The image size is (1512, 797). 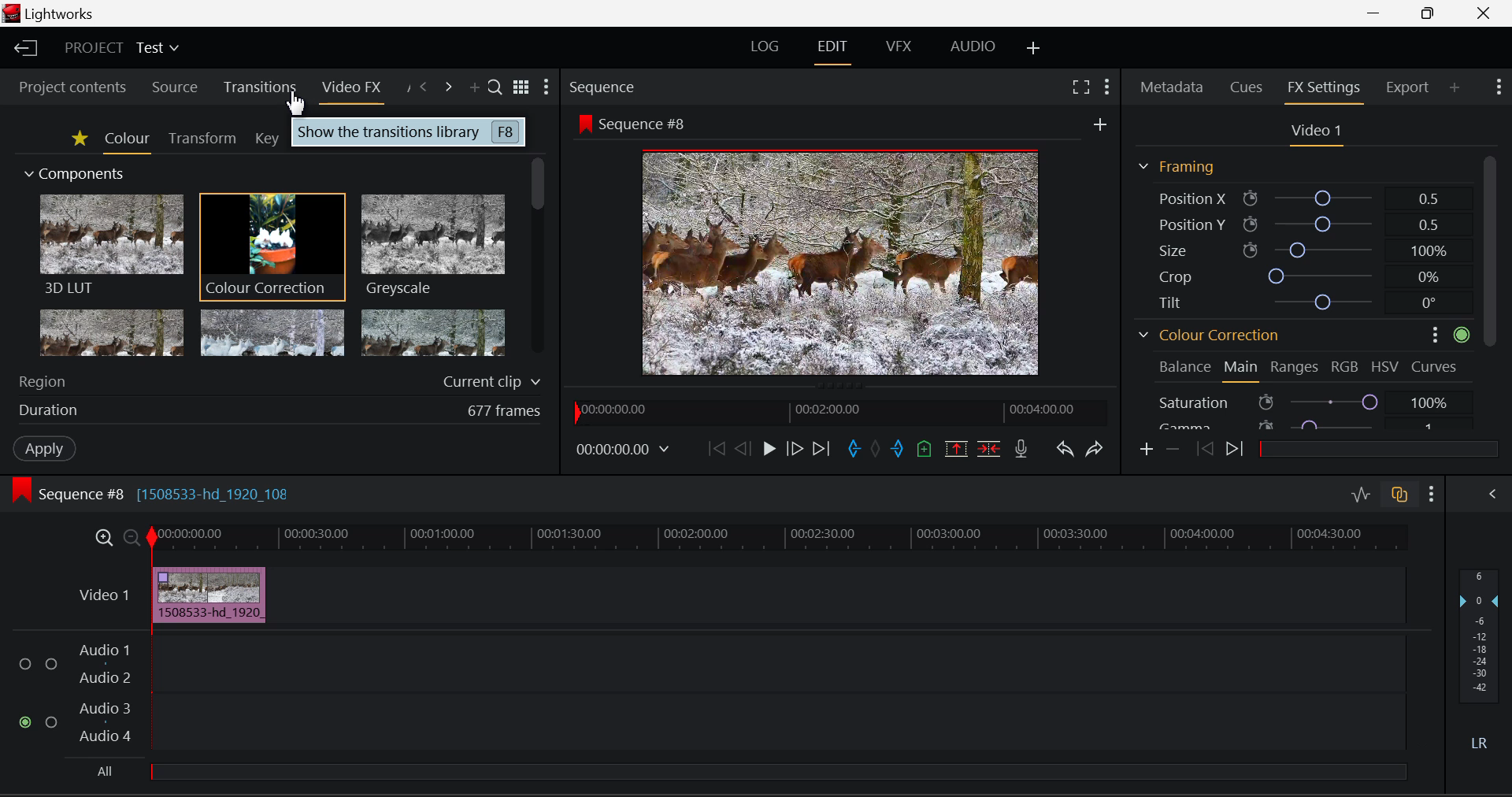 I want to click on Play, so click(x=767, y=450).